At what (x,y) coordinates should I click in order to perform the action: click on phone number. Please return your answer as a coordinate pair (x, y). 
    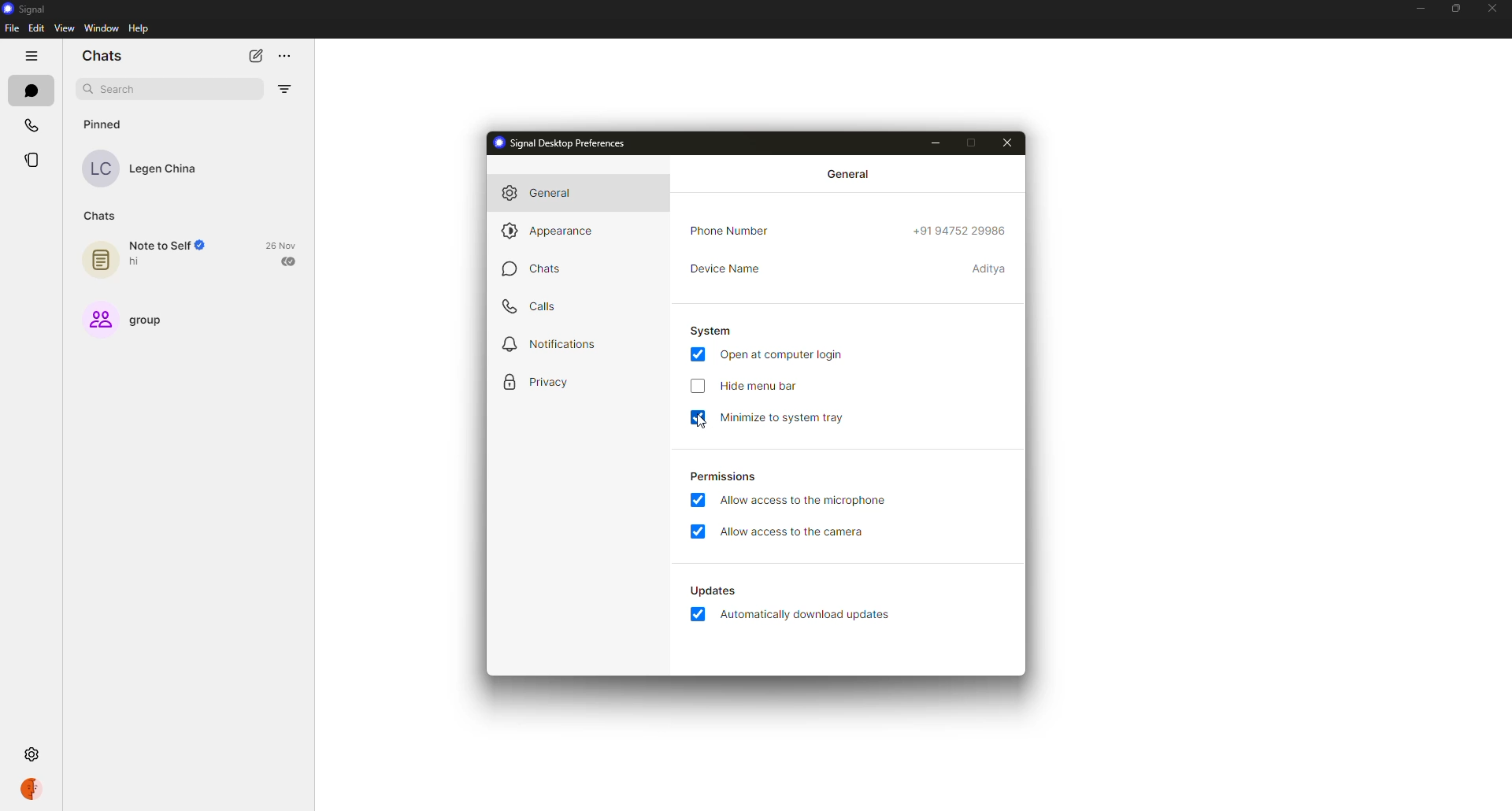
    Looking at the image, I should click on (961, 228).